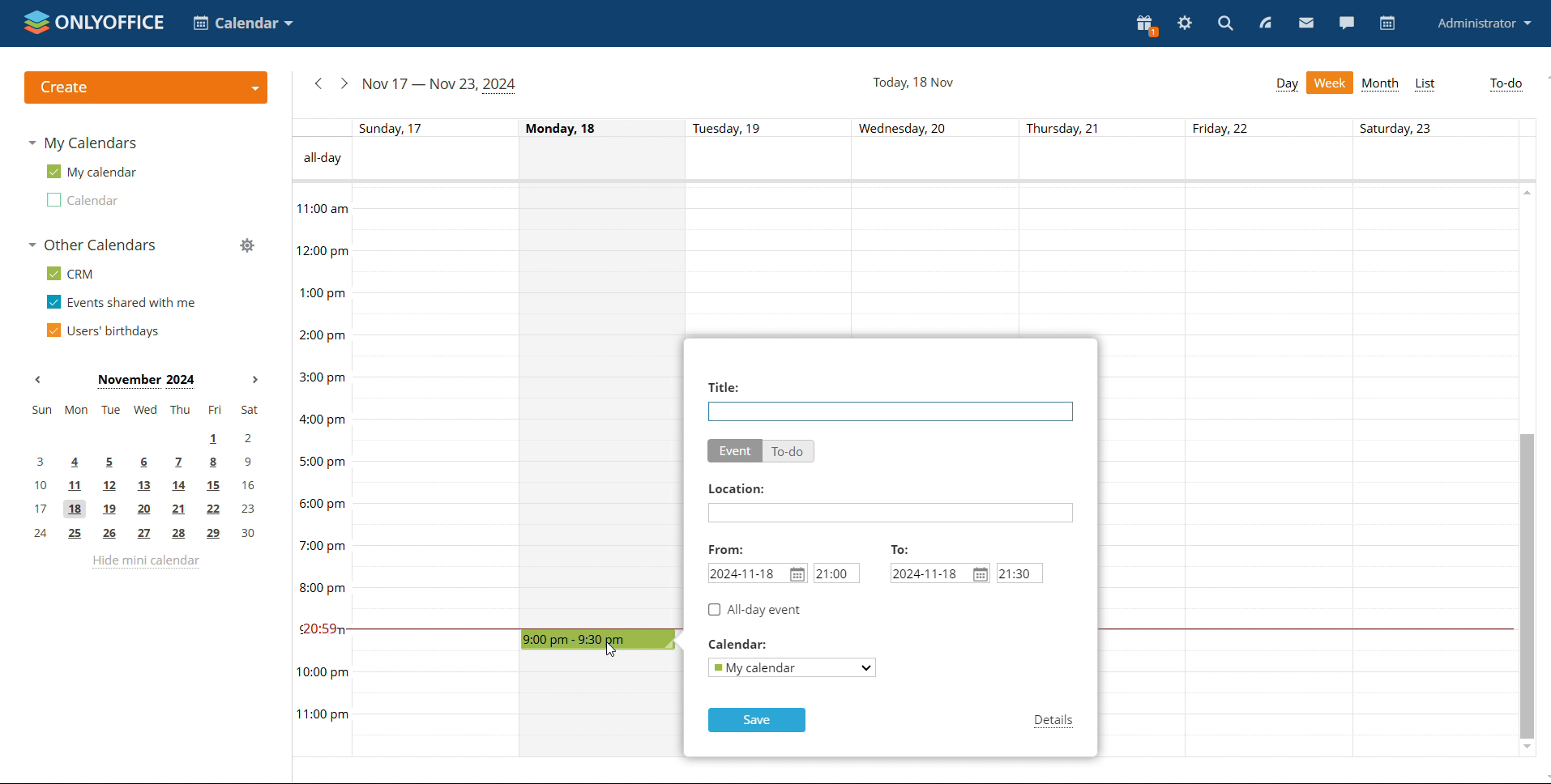 The width and height of the screenshot is (1551, 784). Describe the element at coordinates (1506, 84) in the screenshot. I see `to-do` at that location.